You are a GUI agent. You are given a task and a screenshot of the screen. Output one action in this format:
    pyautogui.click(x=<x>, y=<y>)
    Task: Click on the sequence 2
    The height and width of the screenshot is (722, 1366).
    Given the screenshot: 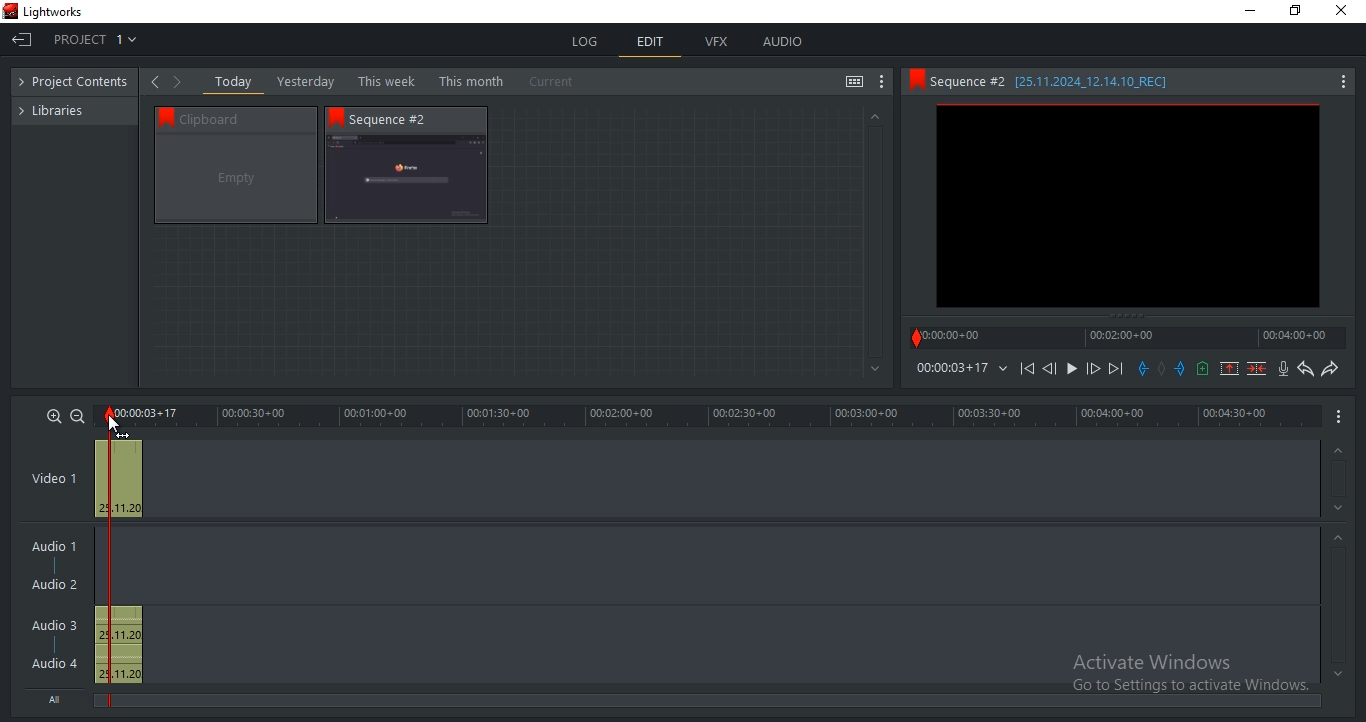 What is the action you would take?
    pyautogui.click(x=1128, y=208)
    